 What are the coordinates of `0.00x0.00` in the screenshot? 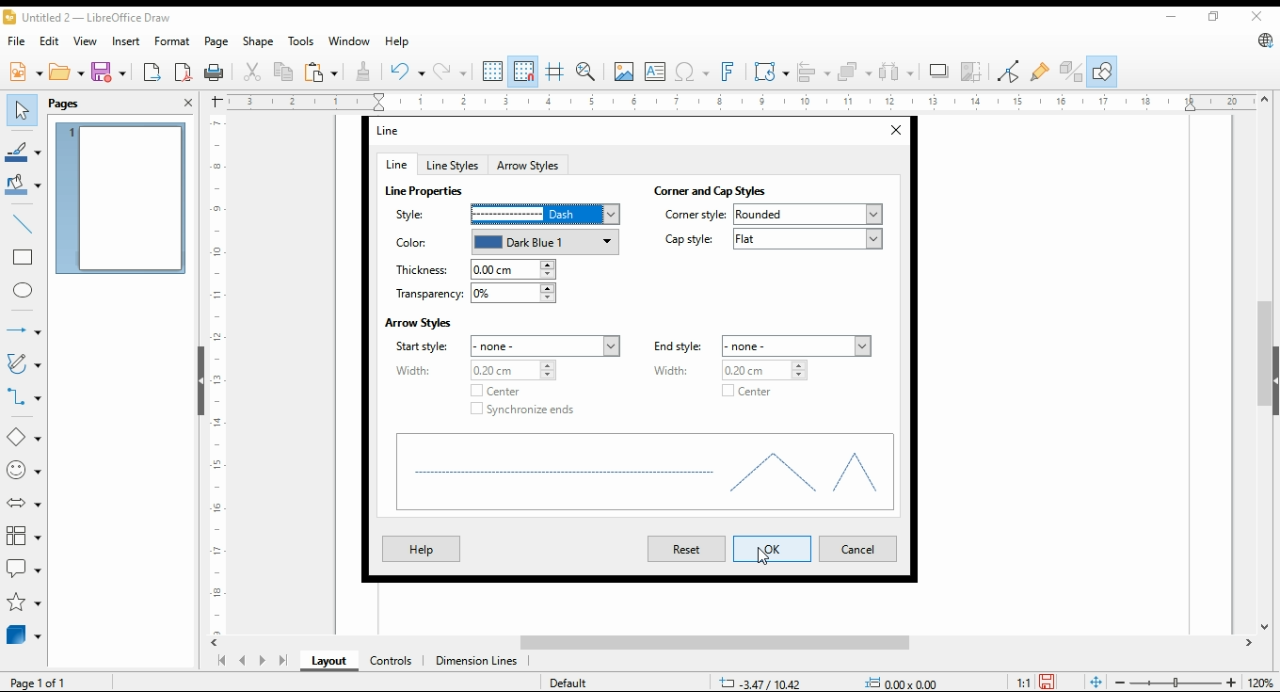 It's located at (905, 682).